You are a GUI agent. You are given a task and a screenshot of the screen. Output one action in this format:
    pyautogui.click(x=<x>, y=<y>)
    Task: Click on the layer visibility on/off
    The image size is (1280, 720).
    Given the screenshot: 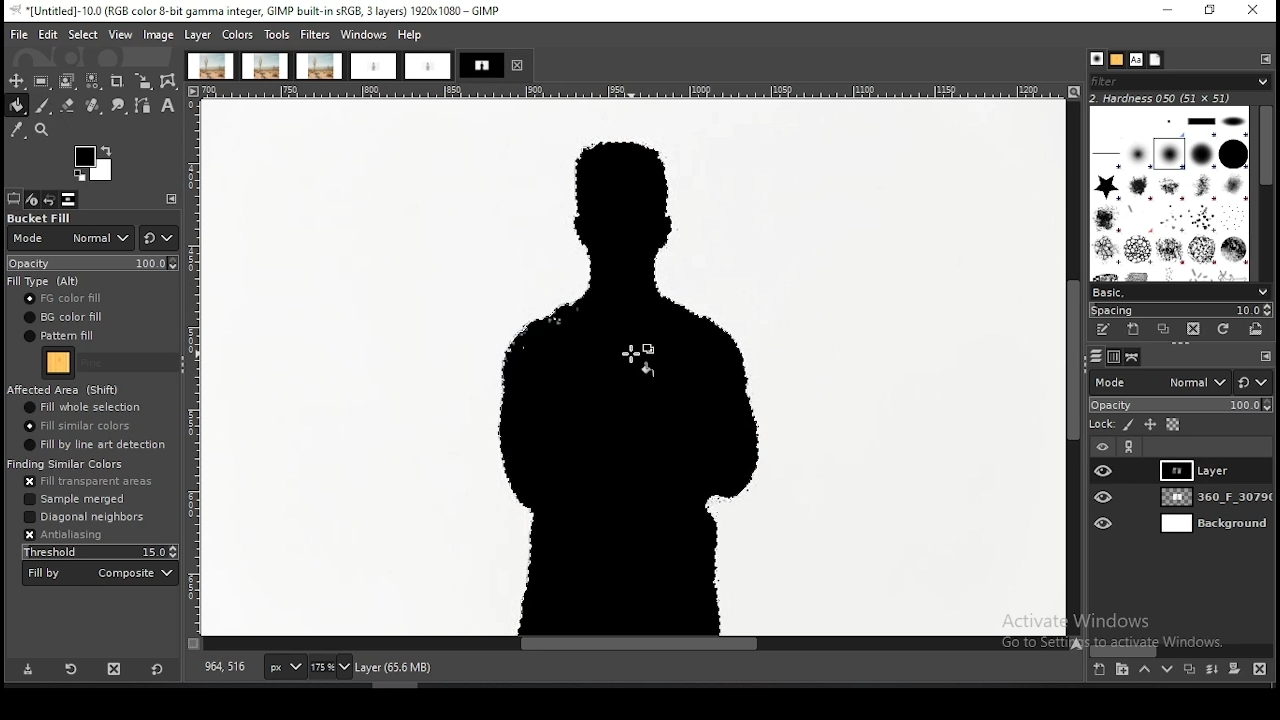 What is the action you would take?
    pyautogui.click(x=1105, y=496)
    